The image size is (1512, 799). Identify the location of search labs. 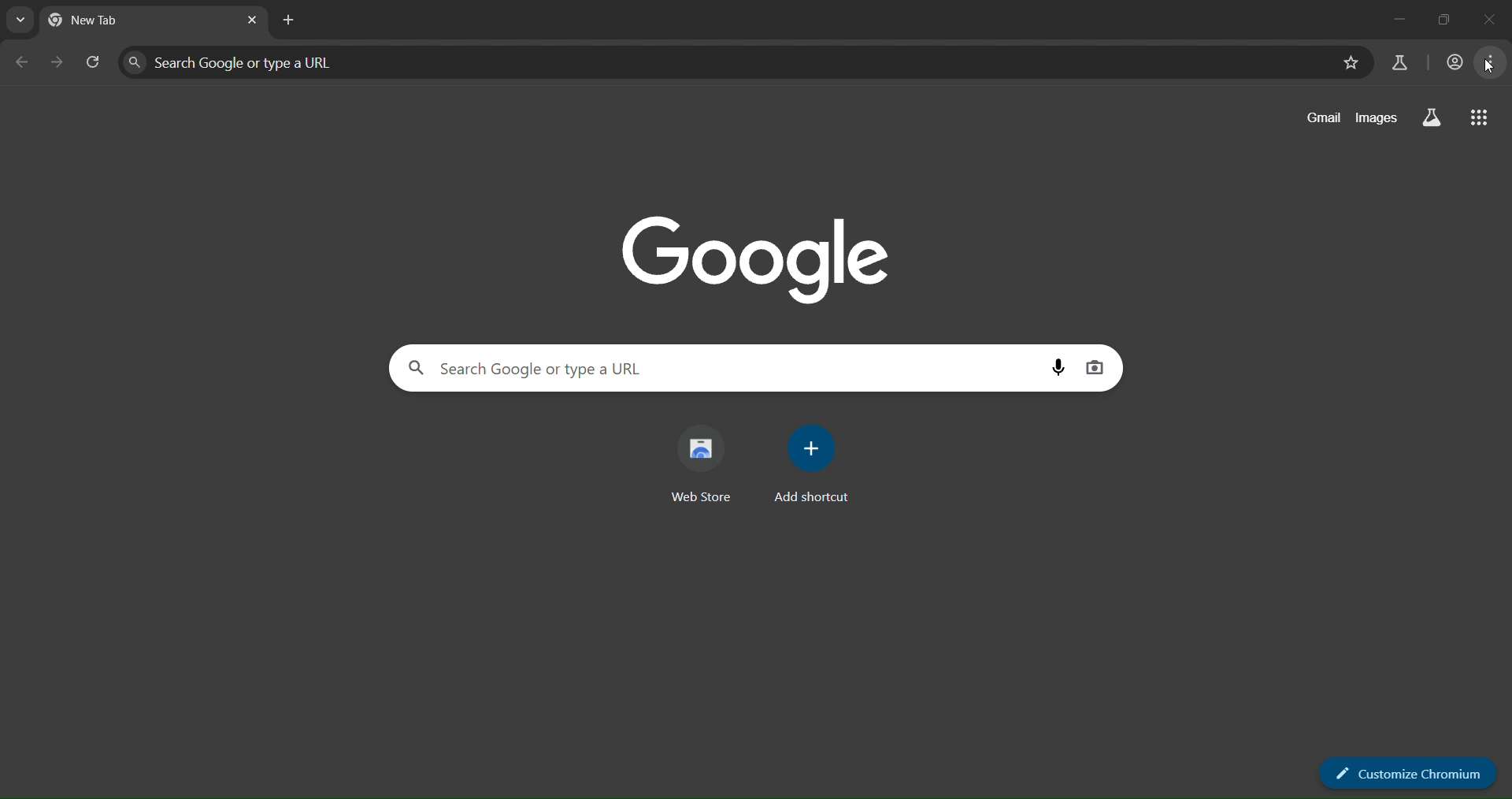
(1402, 63).